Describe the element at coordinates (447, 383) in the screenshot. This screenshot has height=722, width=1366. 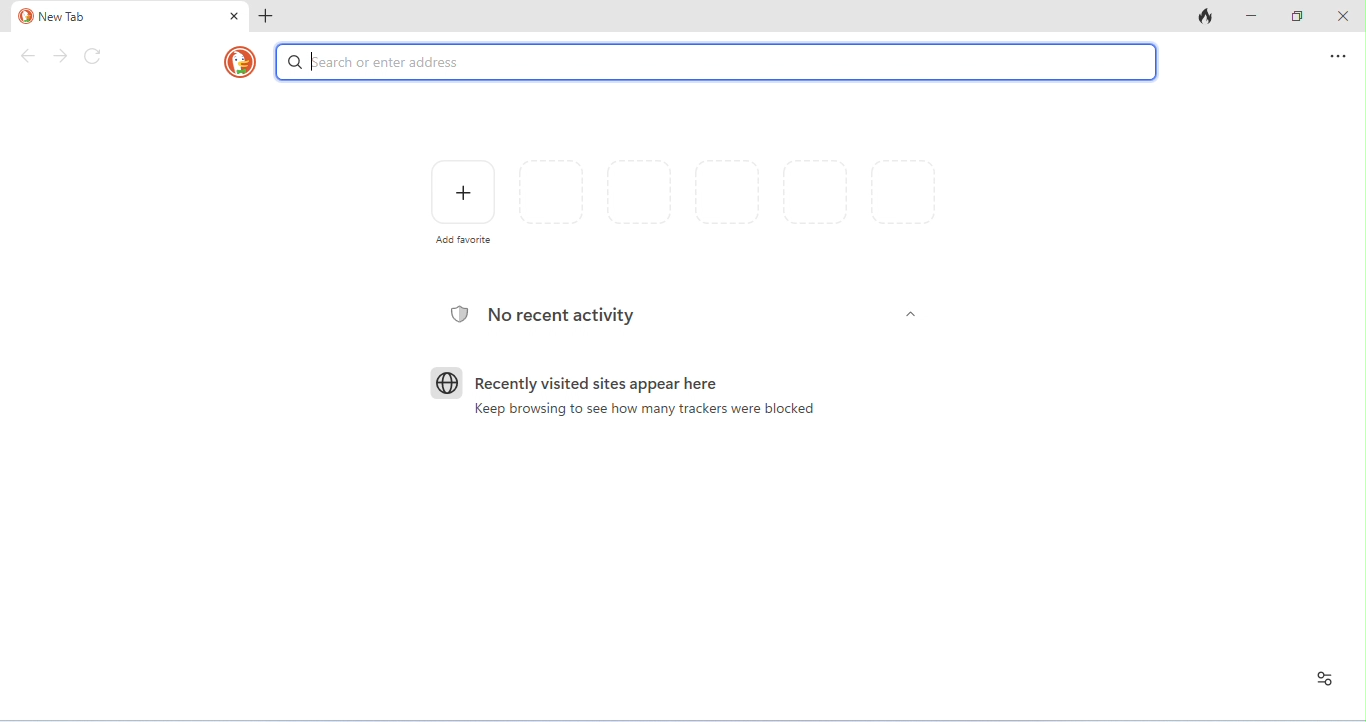
I see `Websites symbol` at that location.